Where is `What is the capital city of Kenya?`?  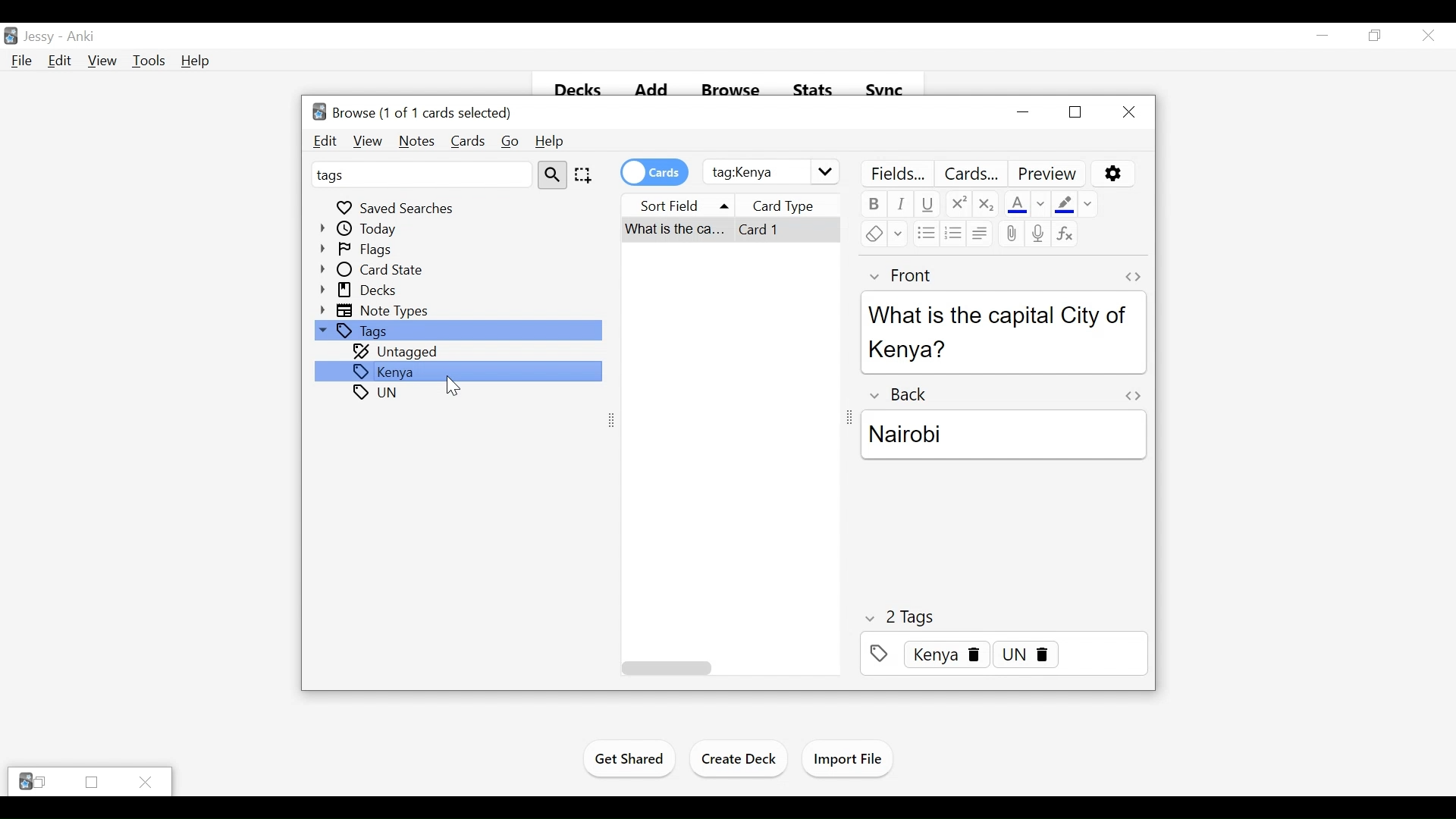
What is the capital city of Kenya? is located at coordinates (1002, 331).